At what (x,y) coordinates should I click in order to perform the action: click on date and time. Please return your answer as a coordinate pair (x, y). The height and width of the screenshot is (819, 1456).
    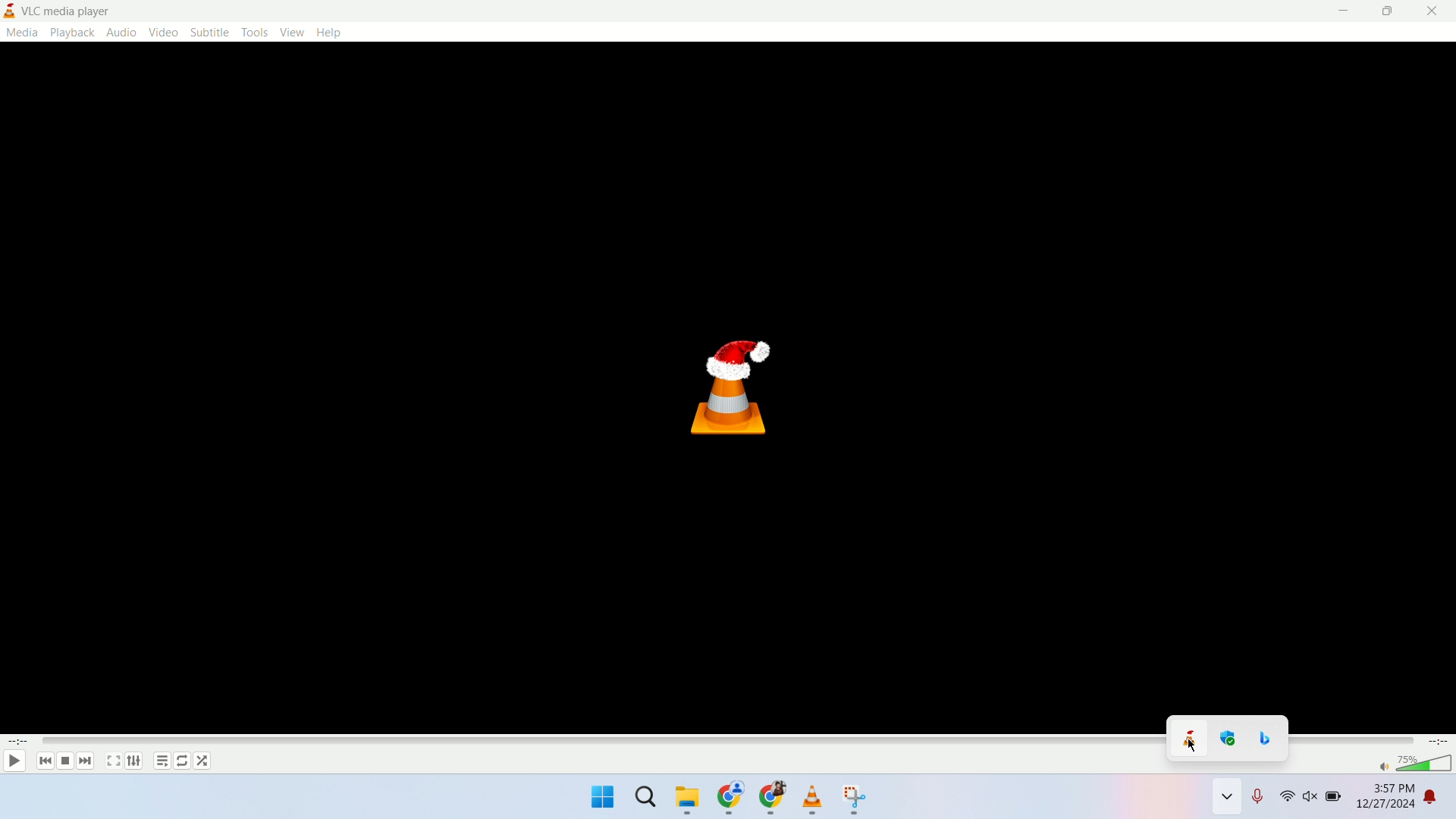
    Looking at the image, I should click on (1385, 800).